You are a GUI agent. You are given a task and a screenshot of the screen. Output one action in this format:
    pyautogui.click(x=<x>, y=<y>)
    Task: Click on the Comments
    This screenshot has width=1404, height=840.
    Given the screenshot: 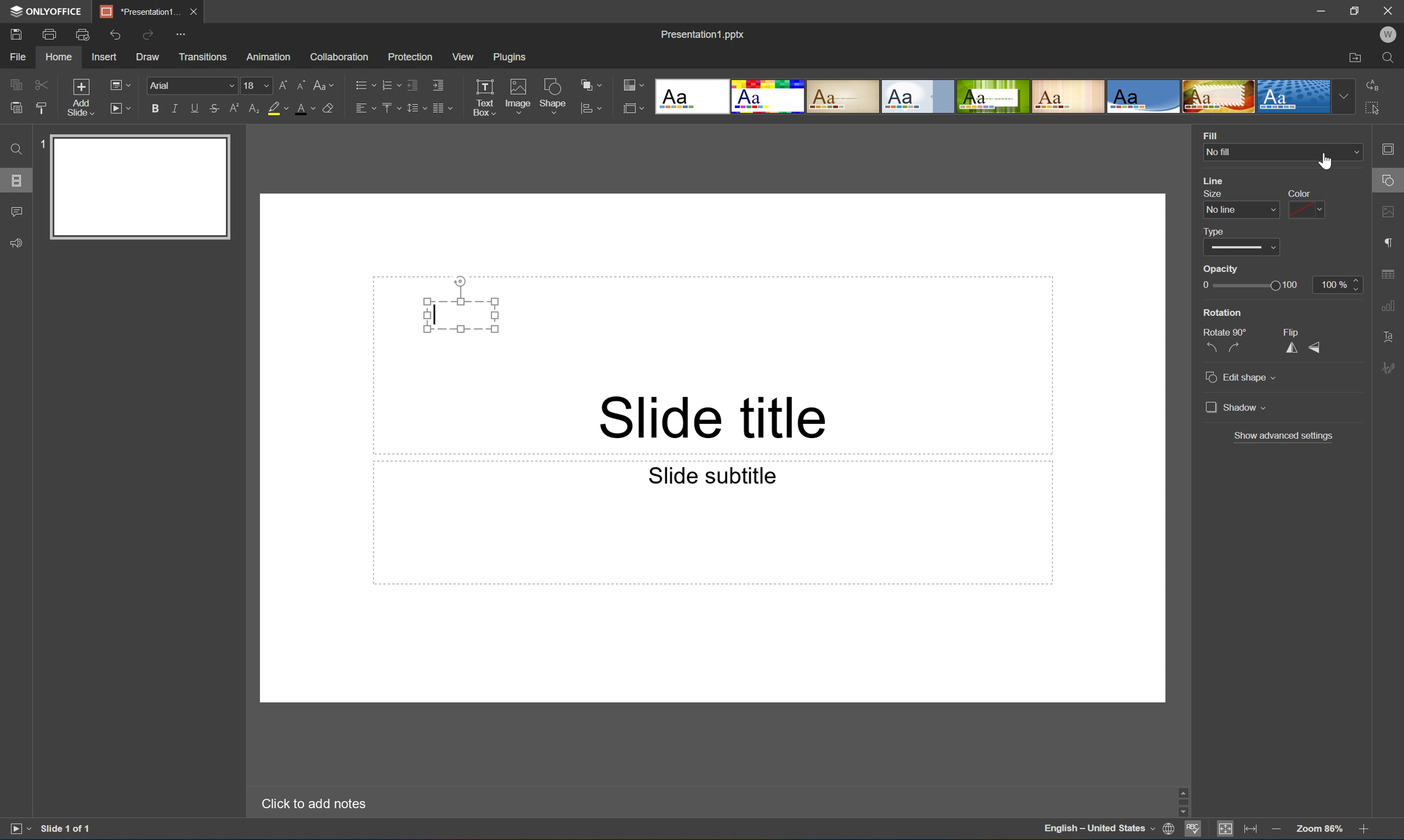 What is the action you would take?
    pyautogui.click(x=16, y=212)
    